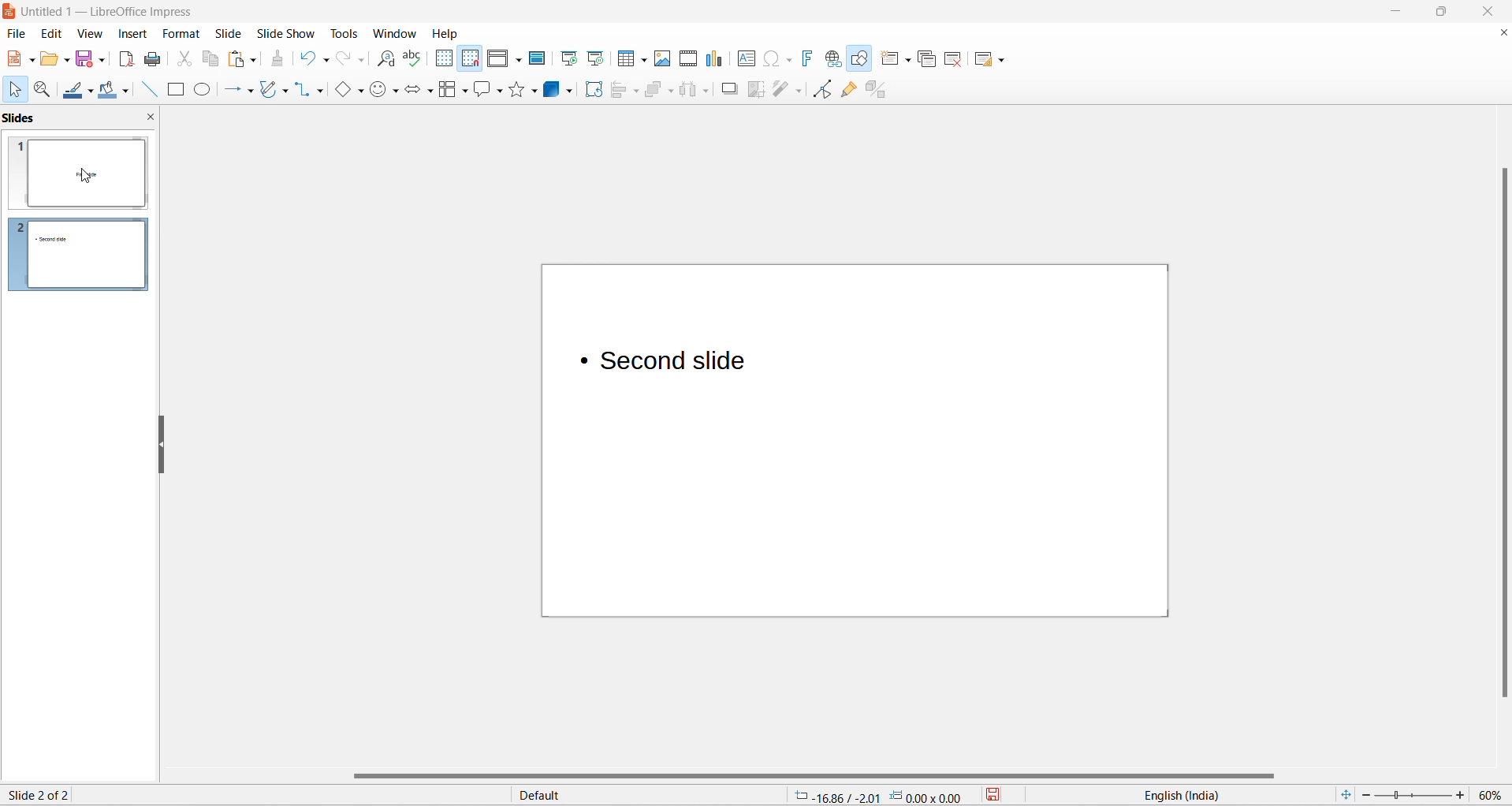  What do you see at coordinates (481, 89) in the screenshot?
I see `callout shapes` at bounding box center [481, 89].